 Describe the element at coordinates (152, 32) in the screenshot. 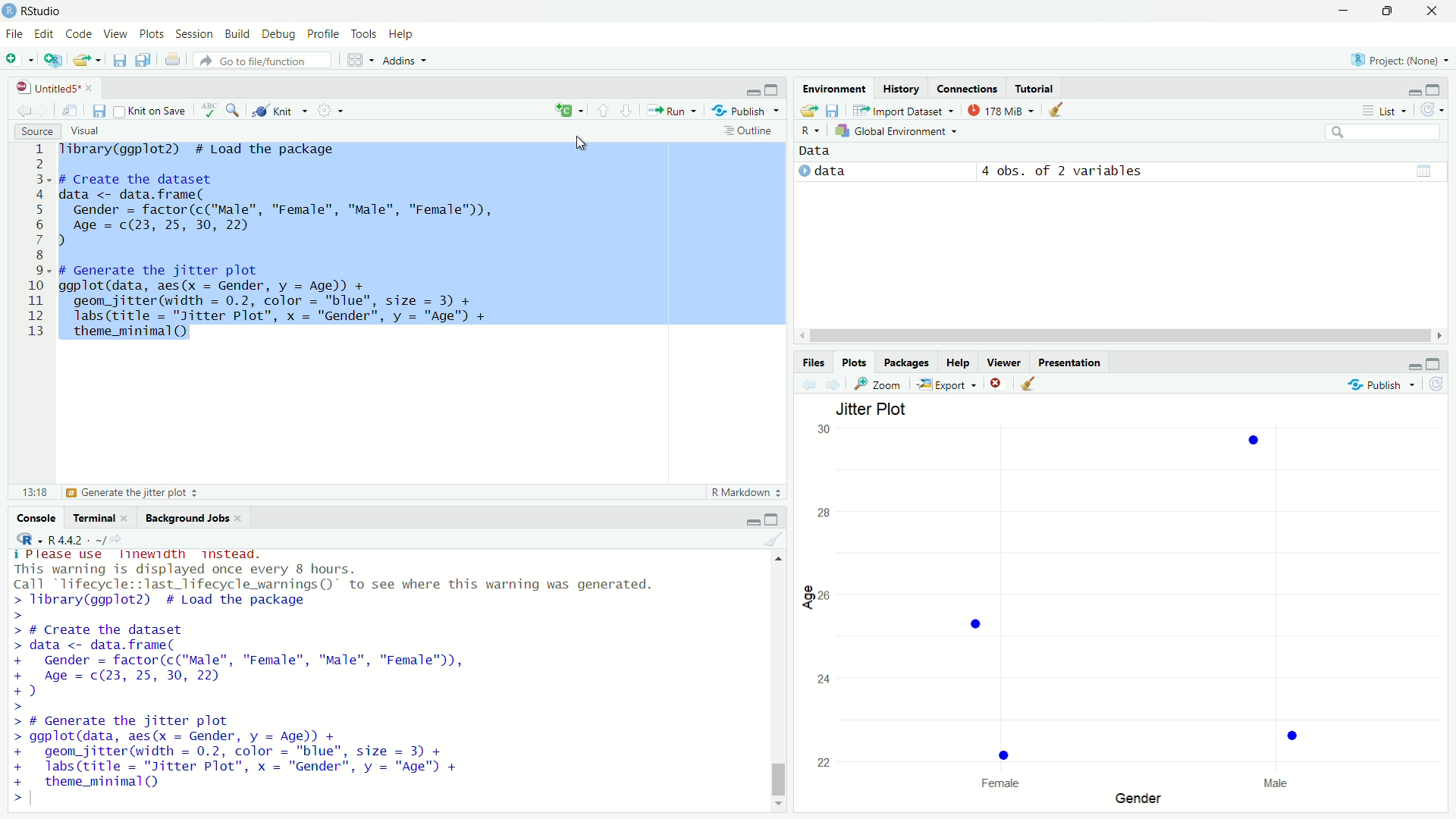

I see `plots` at that location.